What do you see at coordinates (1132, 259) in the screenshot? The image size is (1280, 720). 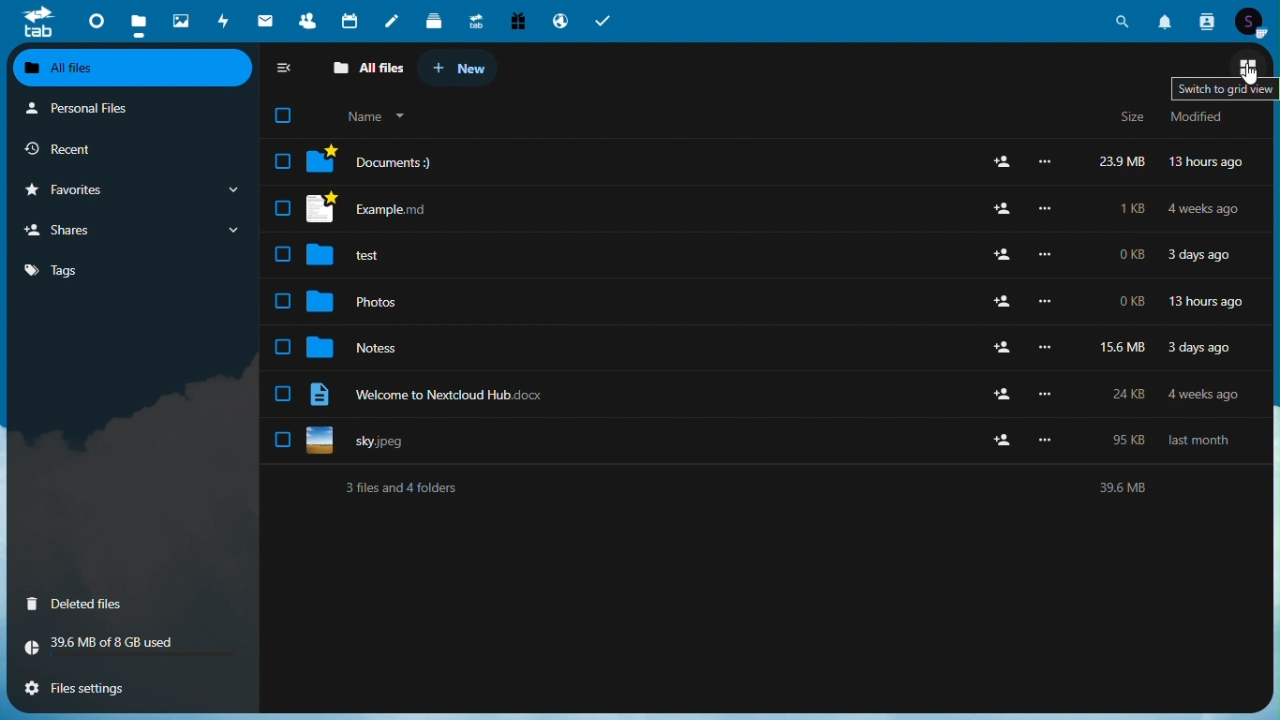 I see `0kb` at bounding box center [1132, 259].